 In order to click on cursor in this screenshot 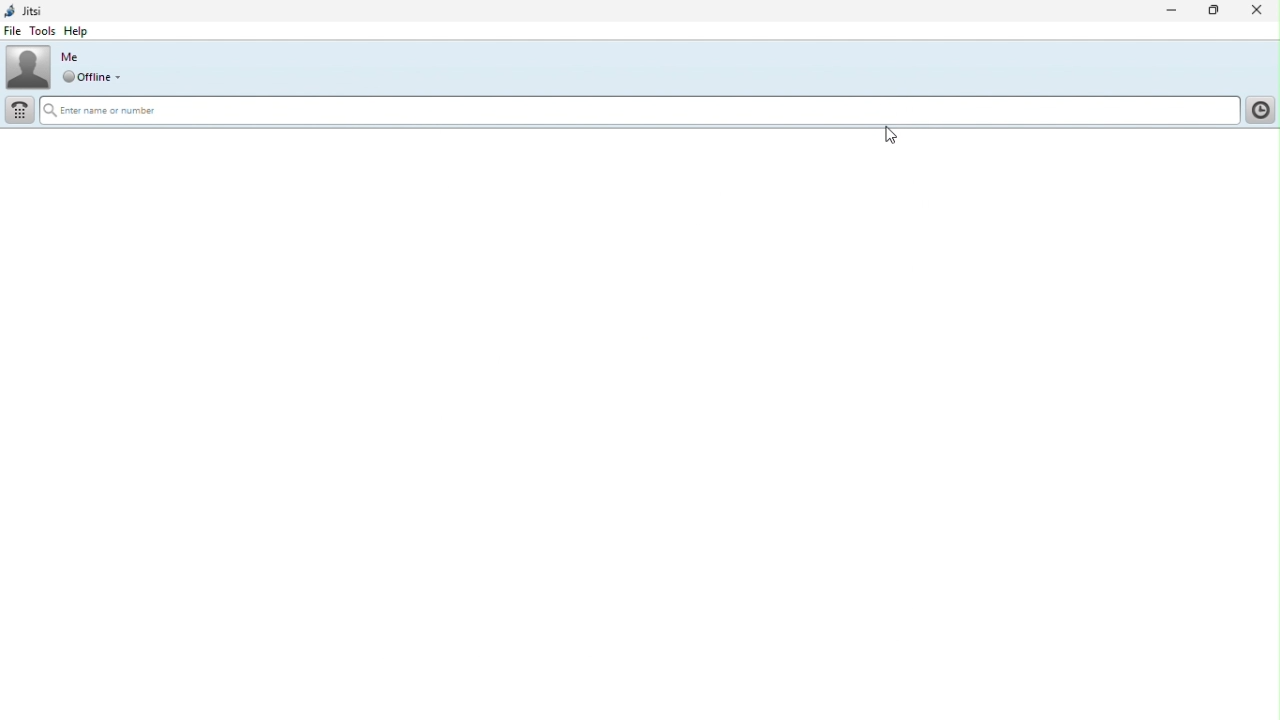, I will do `click(896, 135)`.